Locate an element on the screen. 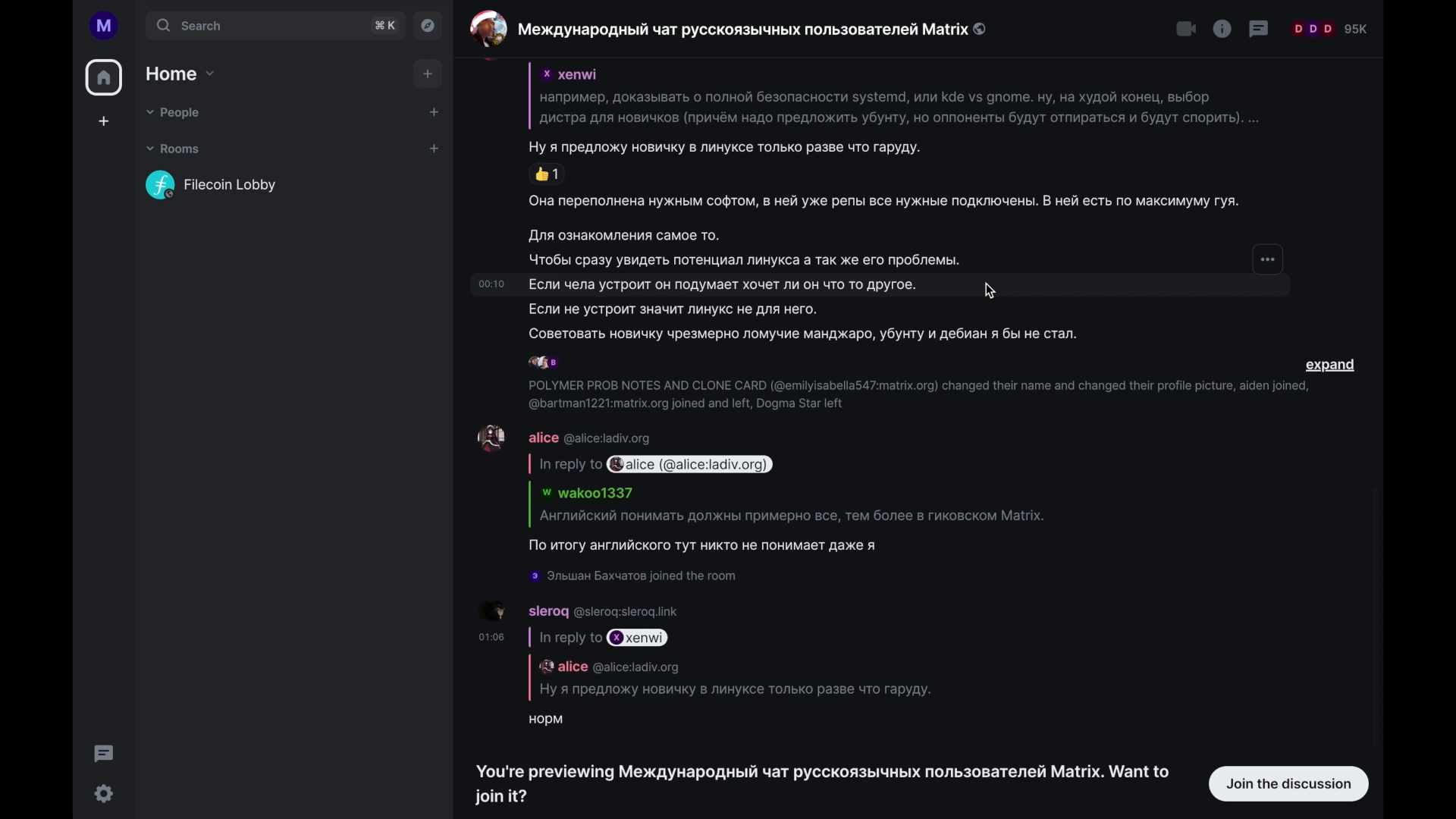 The image size is (1456, 819). add is located at coordinates (105, 122).